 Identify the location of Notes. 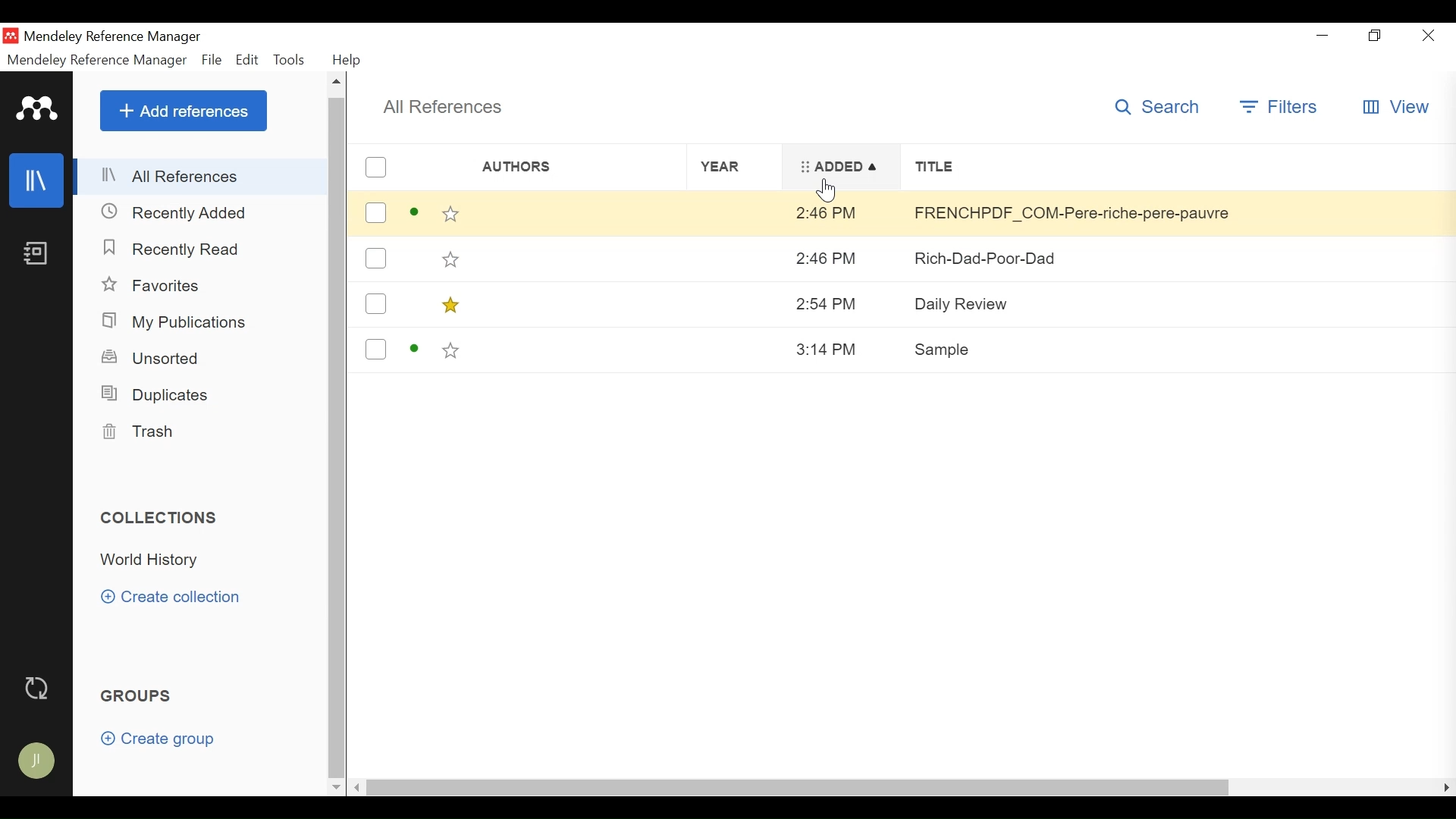
(39, 255).